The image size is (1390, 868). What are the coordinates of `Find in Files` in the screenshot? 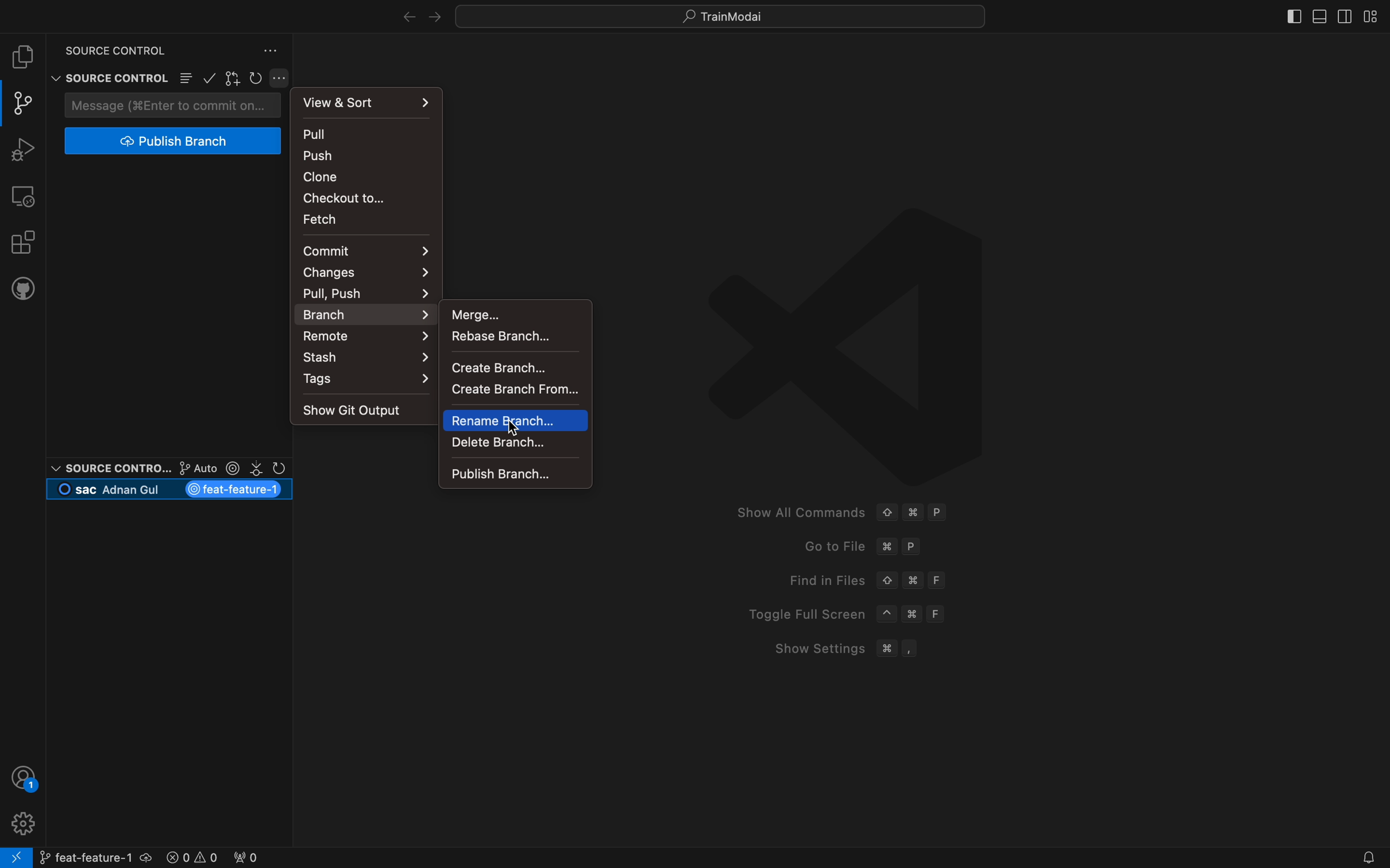 It's located at (817, 580).